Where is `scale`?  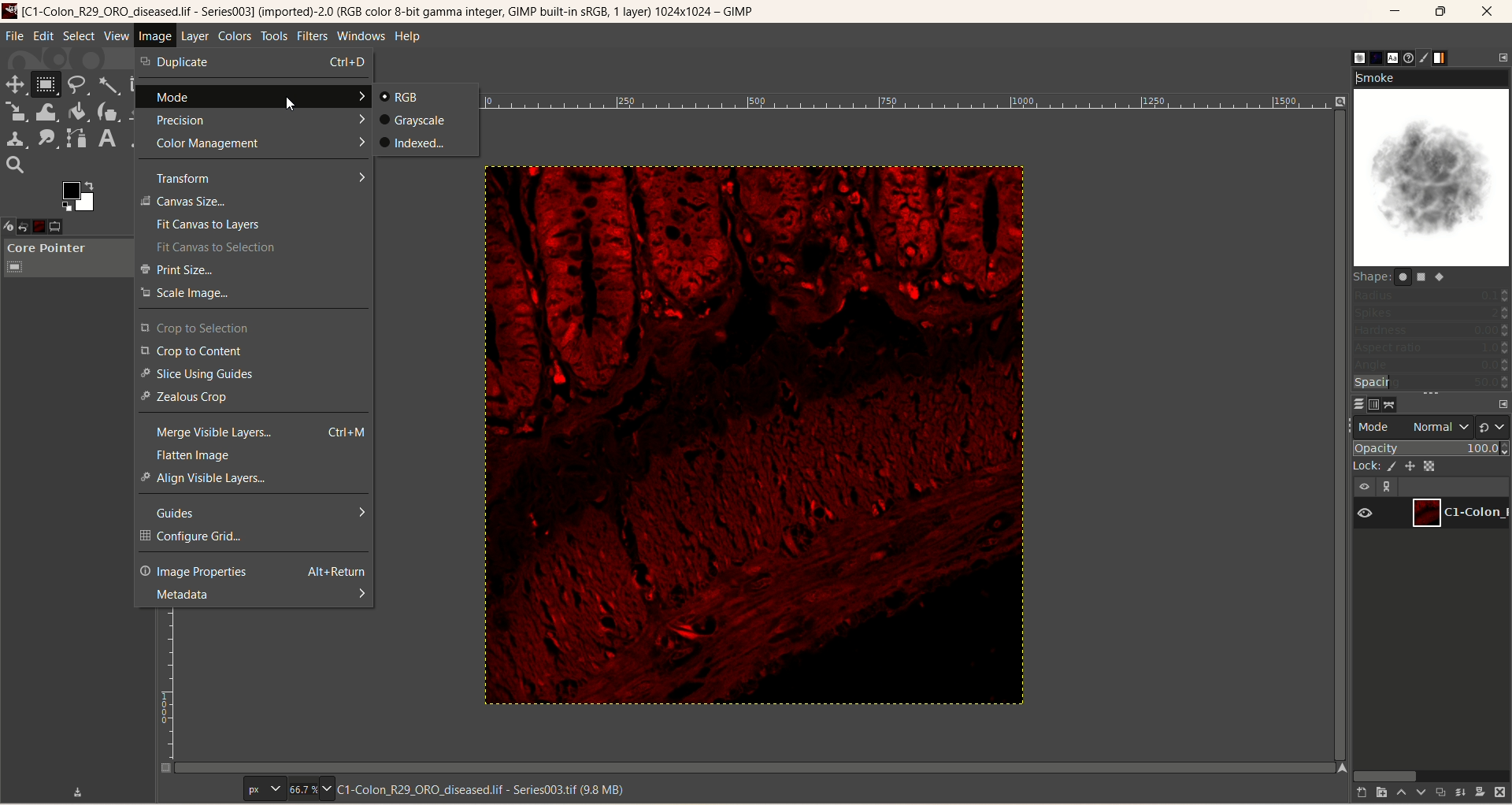
scale is located at coordinates (17, 110).